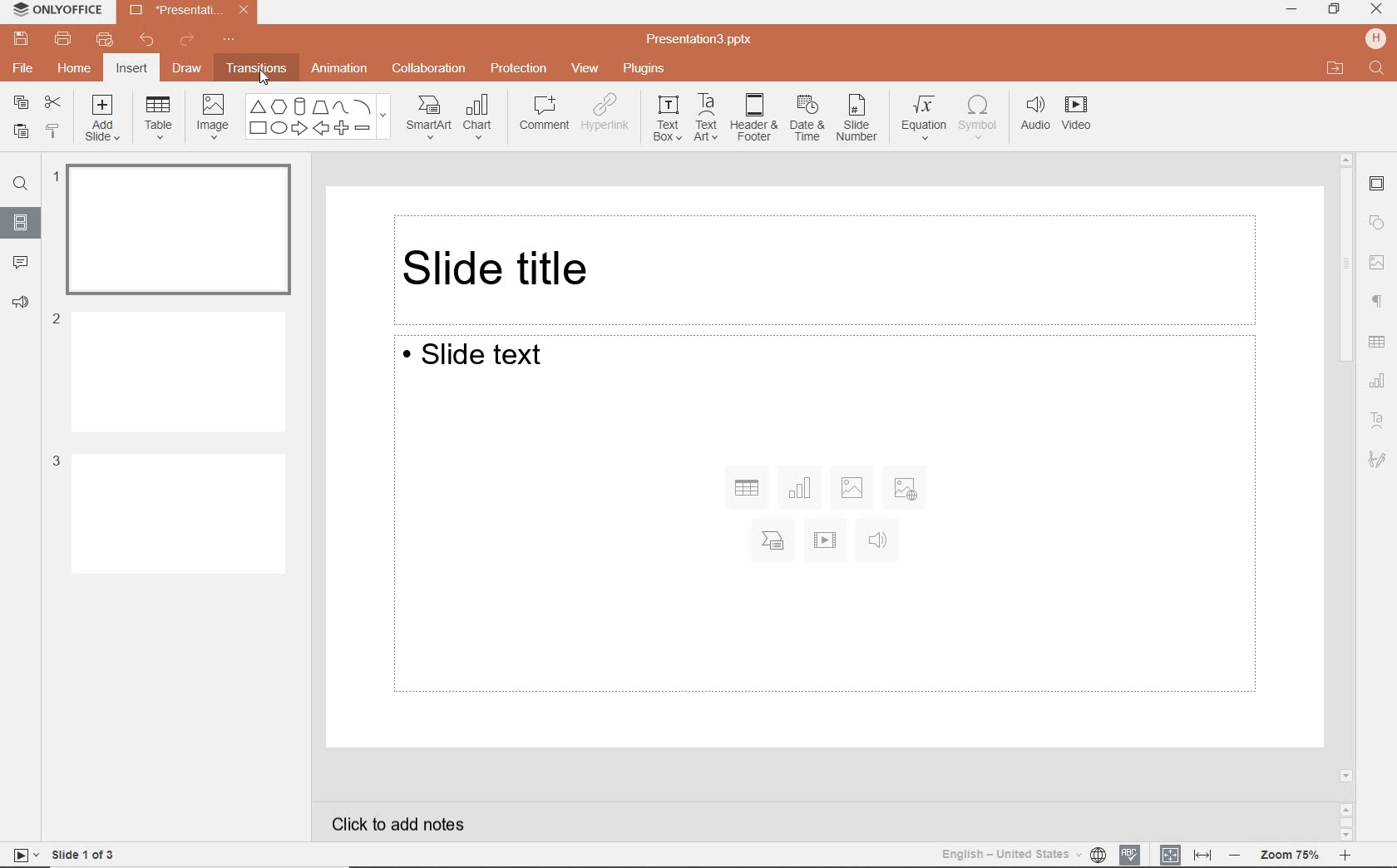  Describe the element at coordinates (1291, 854) in the screenshot. I see `zoom` at that location.